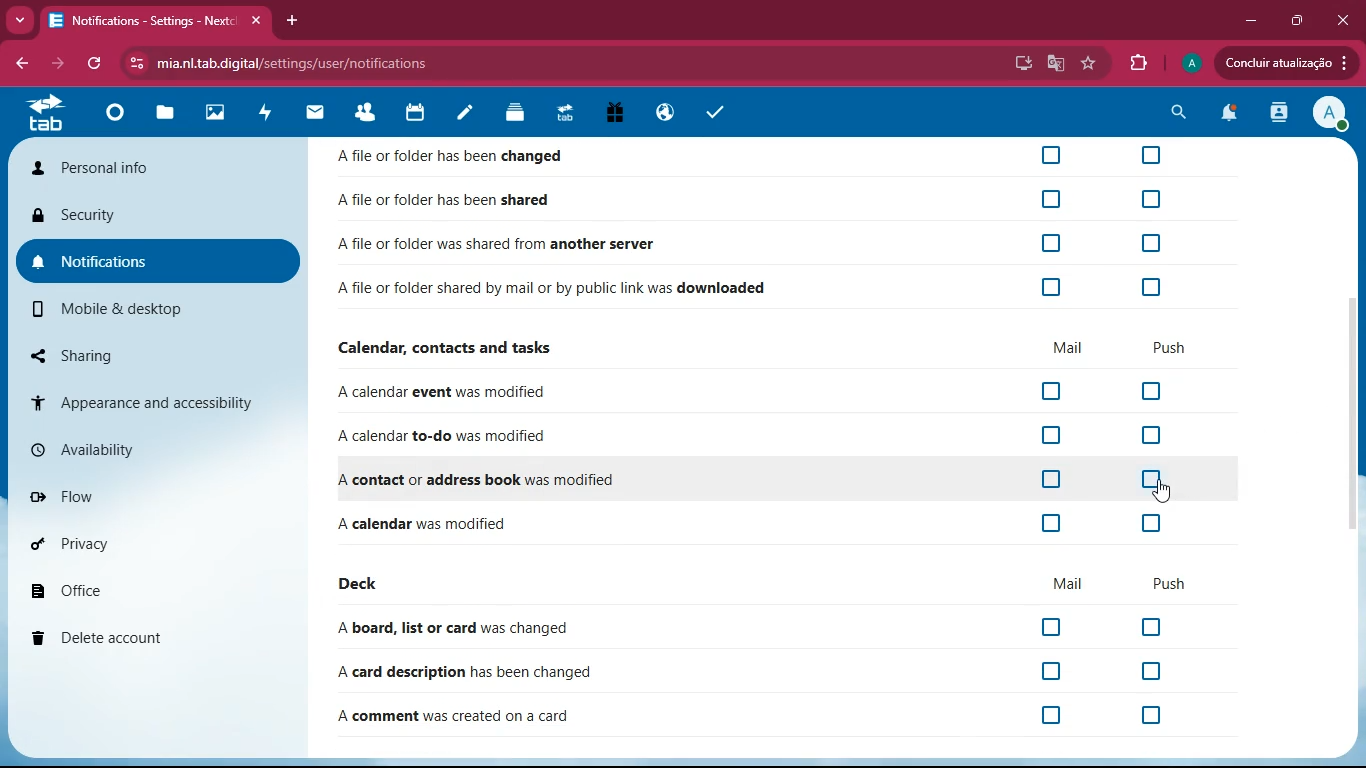  I want to click on ‘mia.nl.tab.digital/settings/user/notifications, so click(292, 63).